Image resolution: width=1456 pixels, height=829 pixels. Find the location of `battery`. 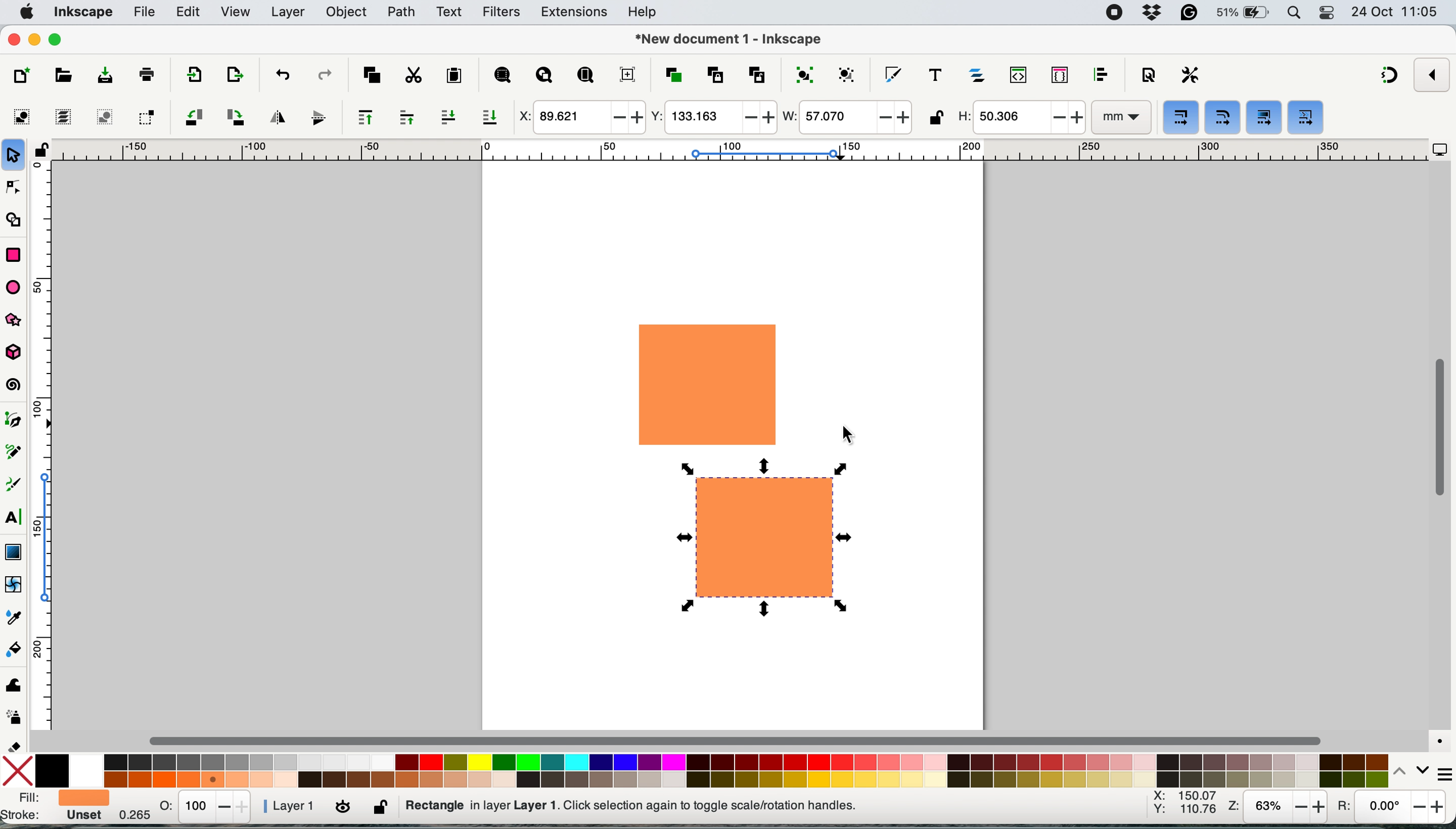

battery is located at coordinates (1244, 13).